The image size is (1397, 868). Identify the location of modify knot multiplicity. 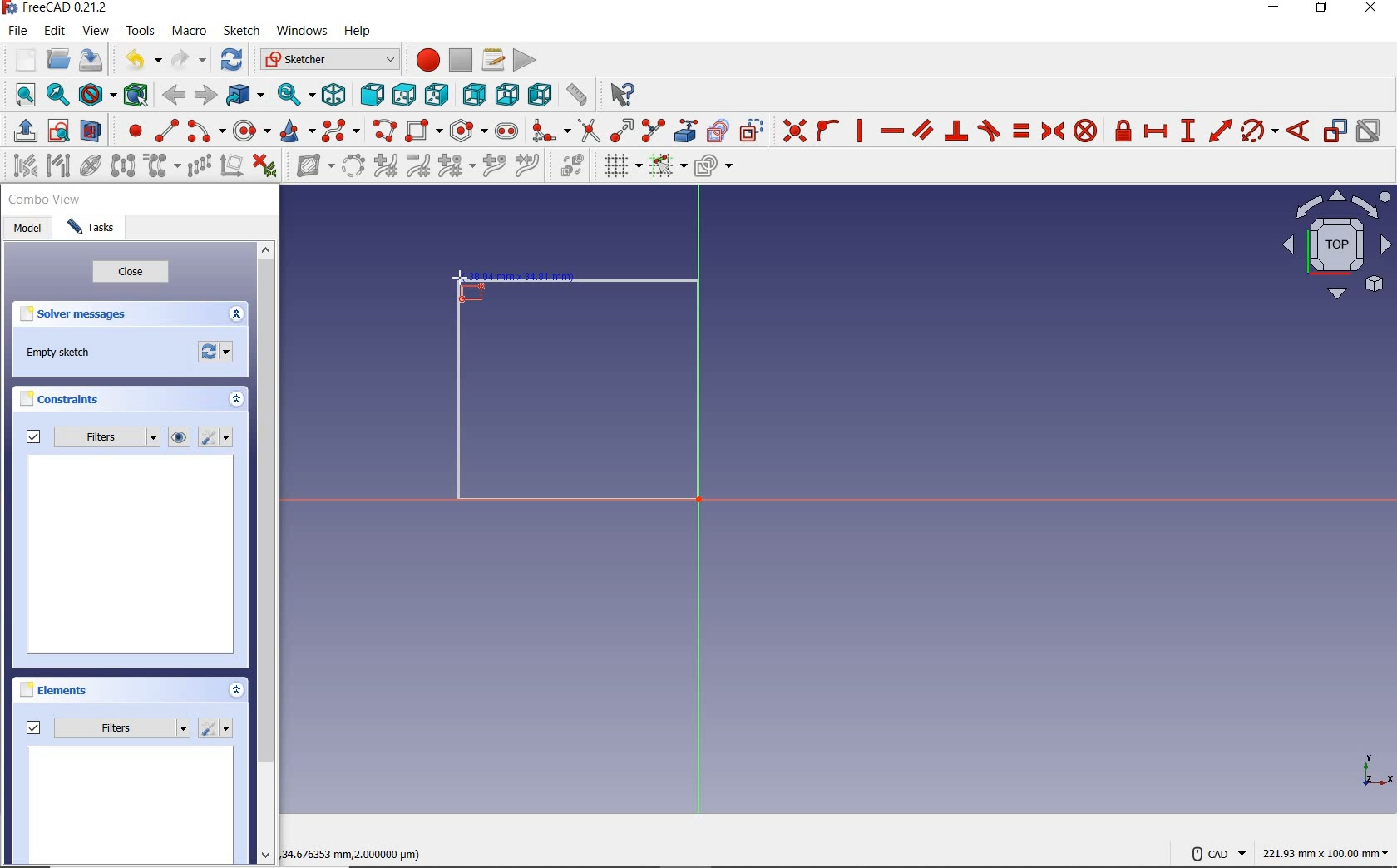
(456, 166).